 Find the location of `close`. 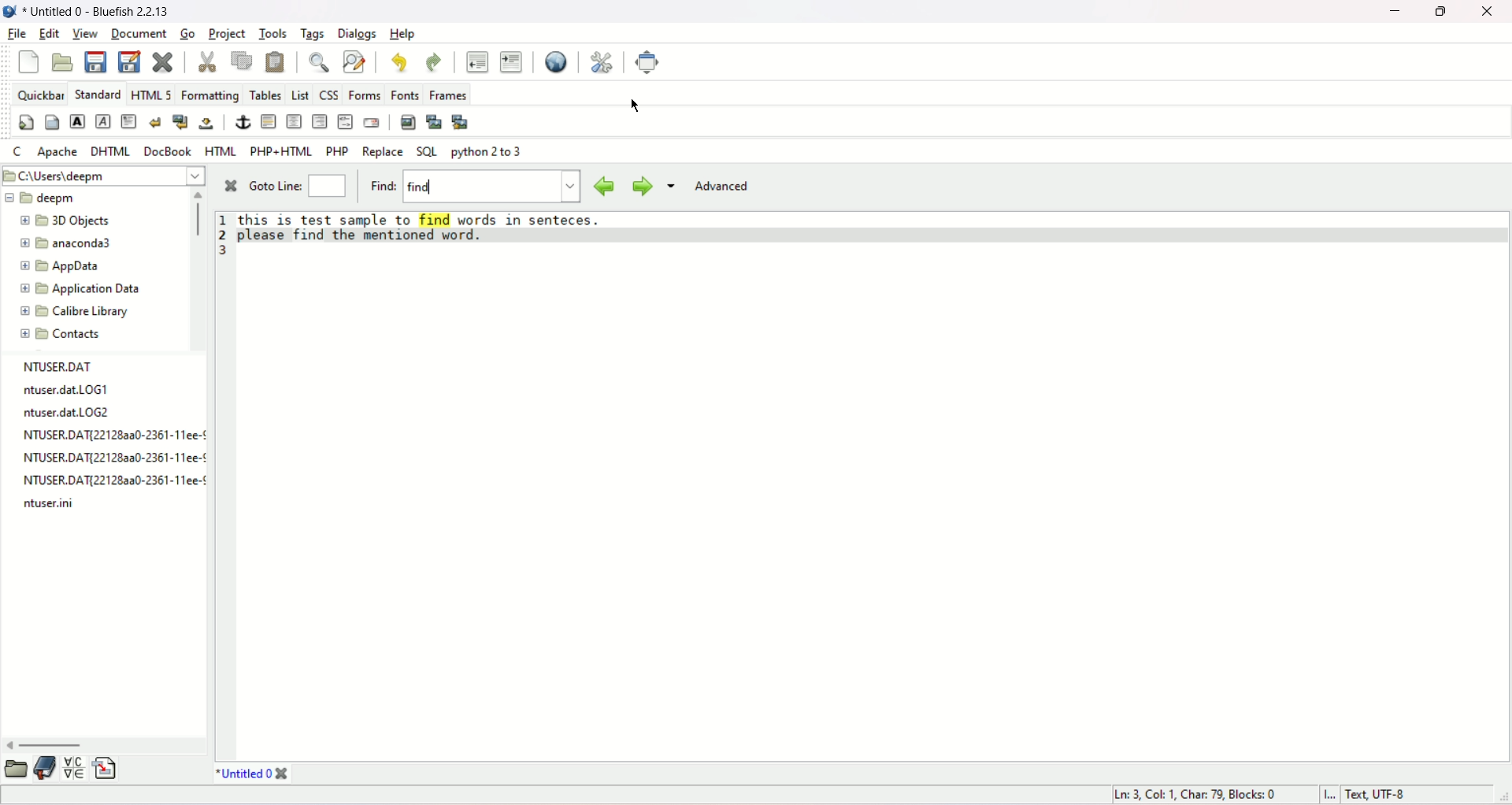

close is located at coordinates (1490, 13).